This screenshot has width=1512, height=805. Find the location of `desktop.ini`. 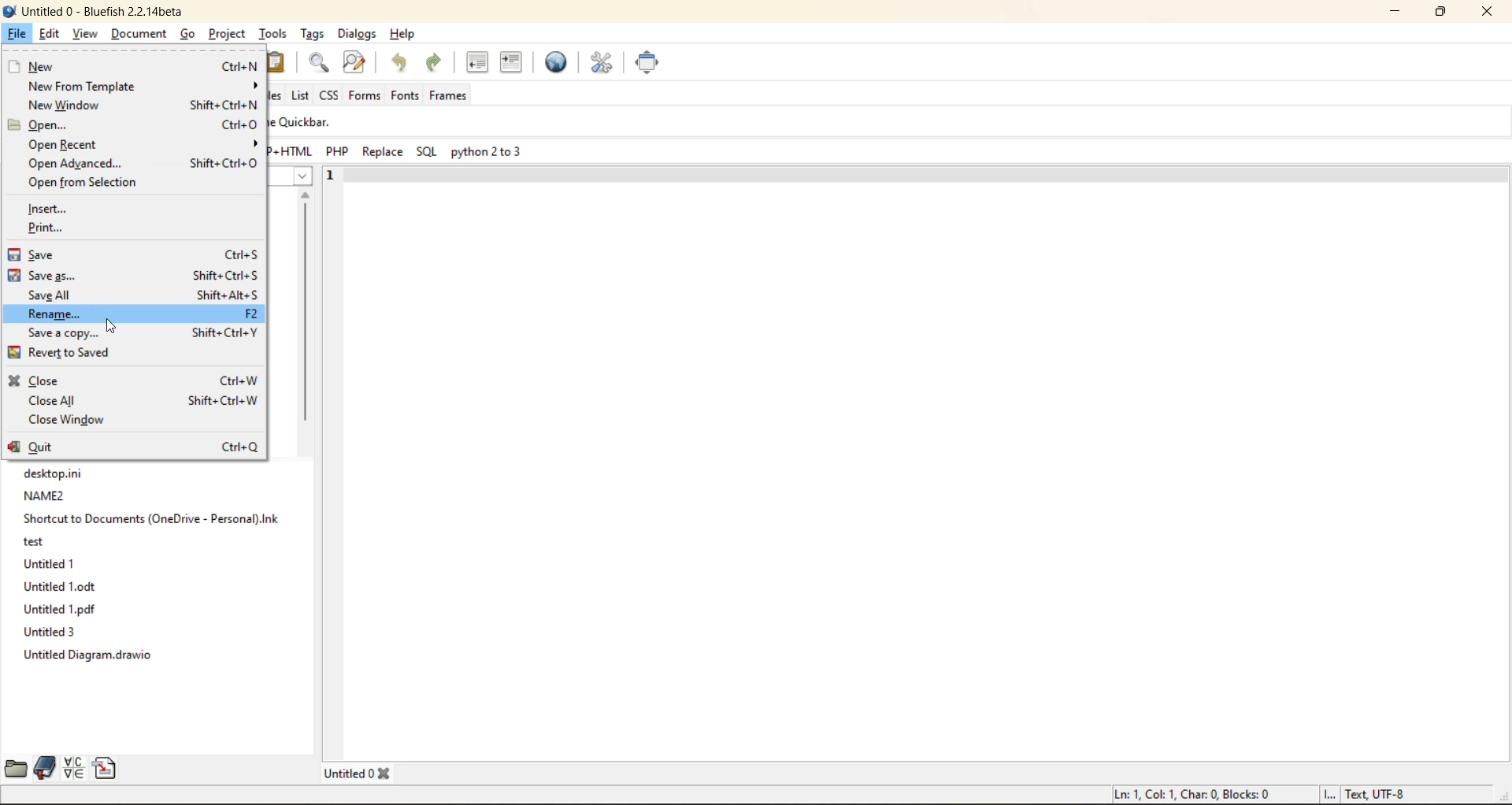

desktop.ini is located at coordinates (57, 472).